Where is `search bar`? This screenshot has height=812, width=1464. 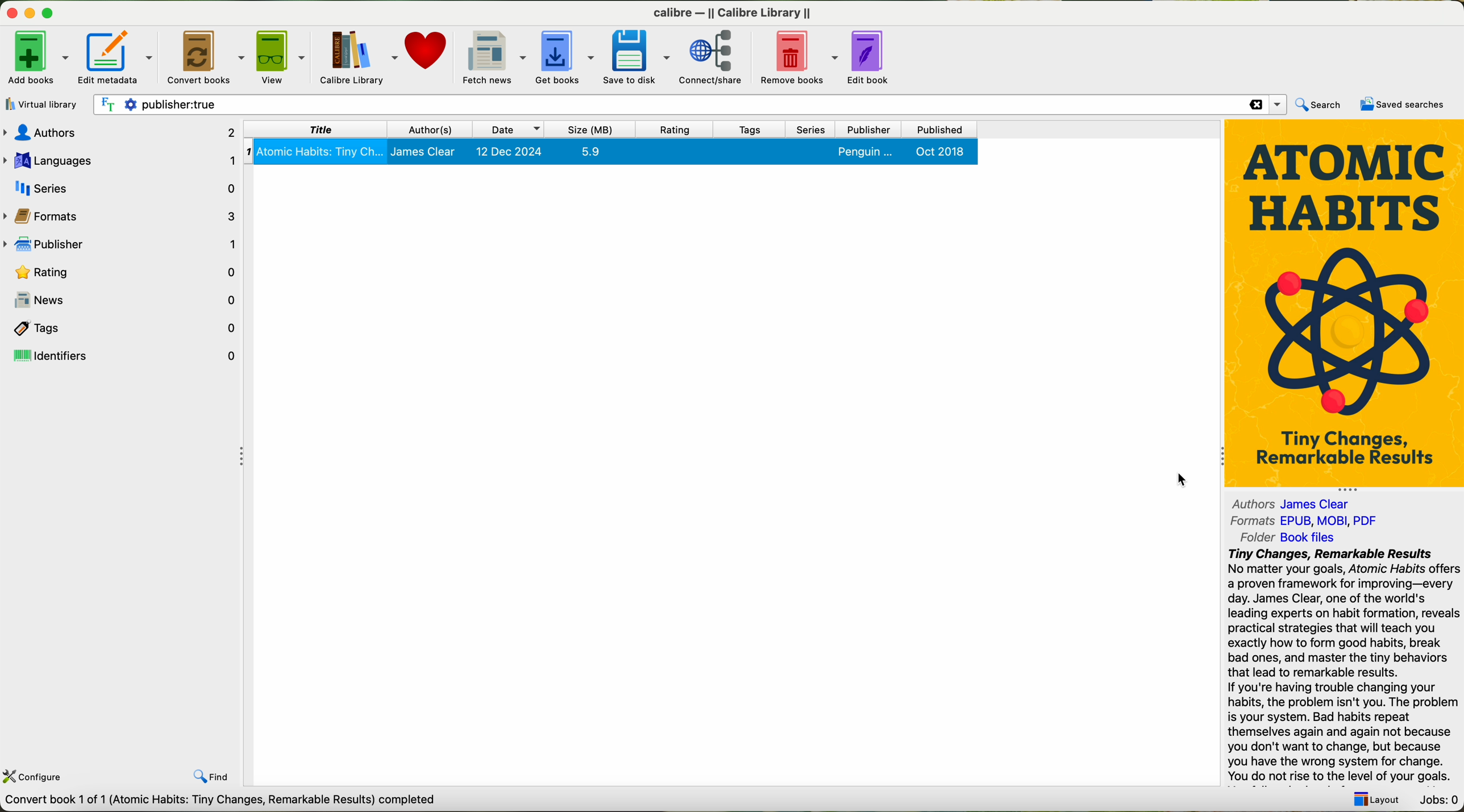
search bar is located at coordinates (690, 106).